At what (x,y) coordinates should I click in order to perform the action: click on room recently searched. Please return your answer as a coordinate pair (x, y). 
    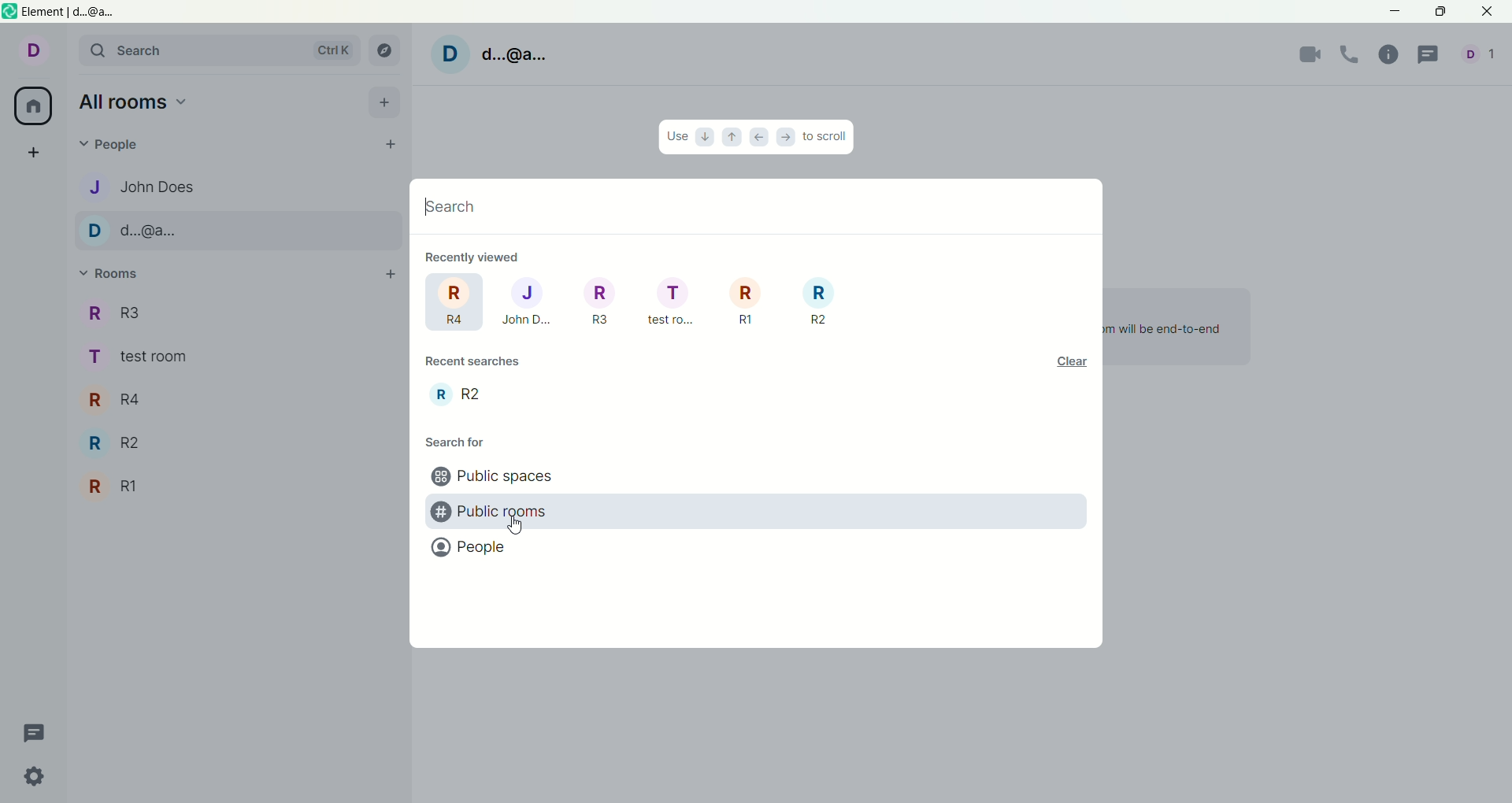
    Looking at the image, I should click on (464, 393).